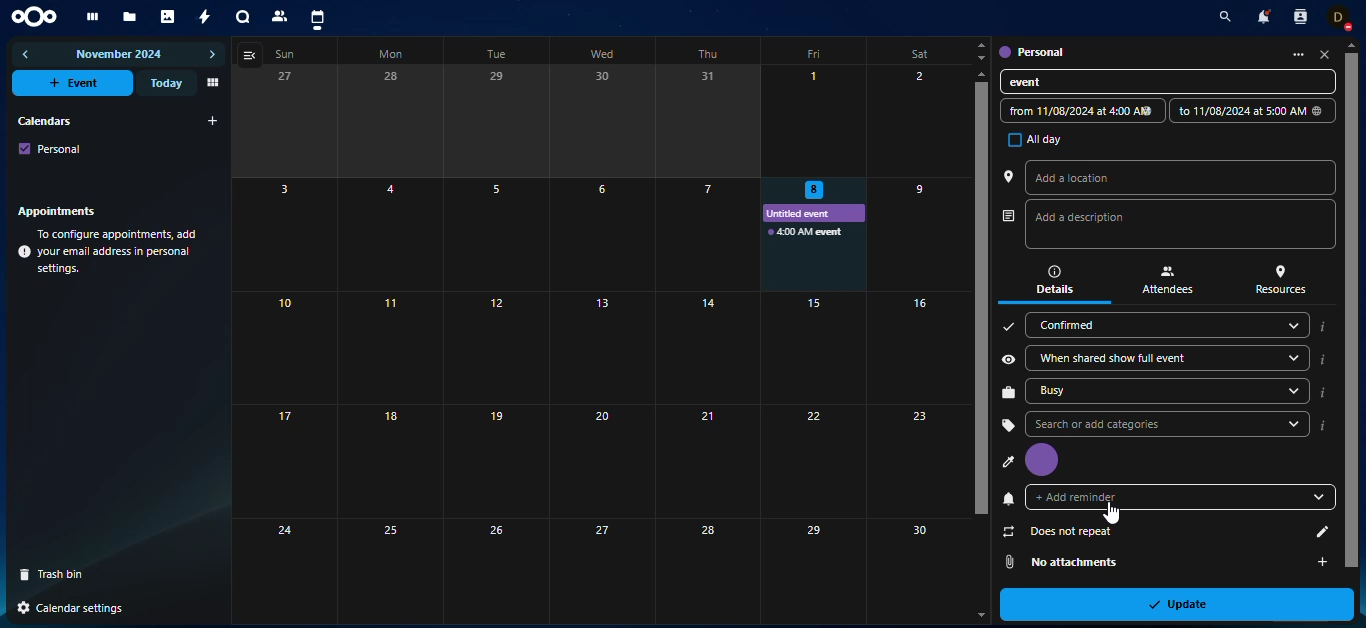 The image size is (1366, 628). What do you see at coordinates (38, 15) in the screenshot?
I see `nextcloud` at bounding box center [38, 15].